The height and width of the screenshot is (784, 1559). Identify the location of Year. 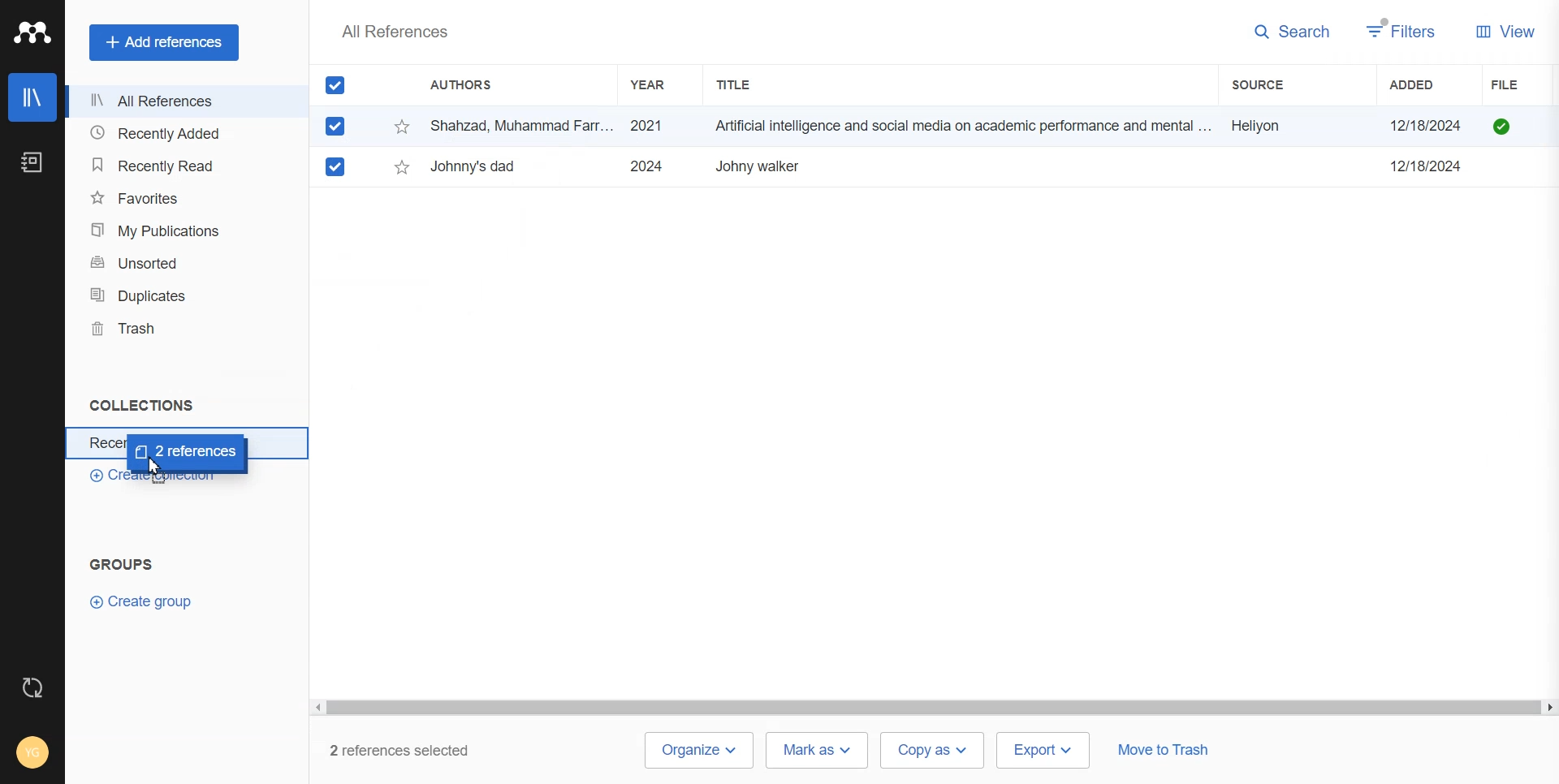
(655, 84).